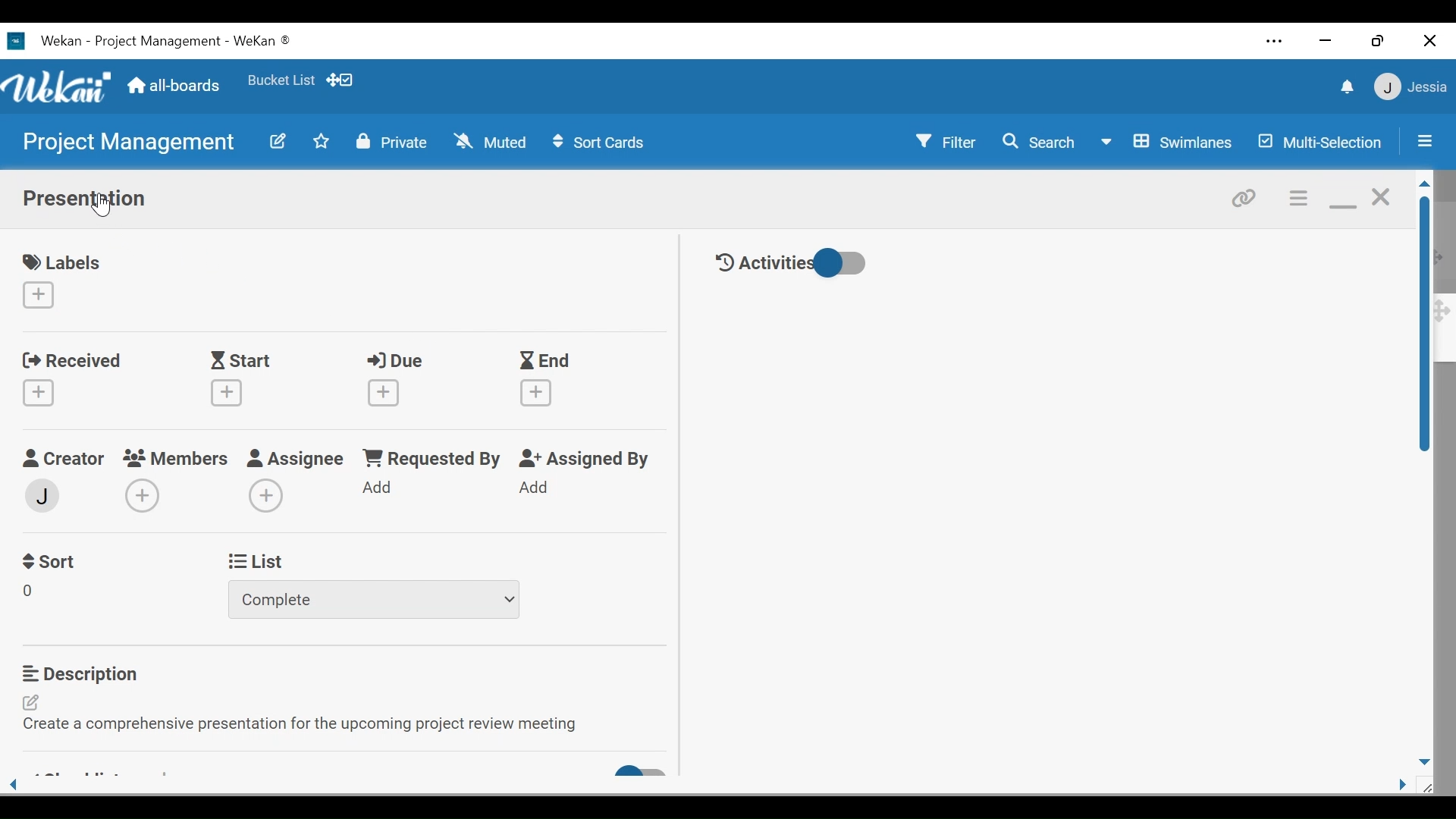 This screenshot has width=1456, height=819. What do you see at coordinates (177, 457) in the screenshot?
I see `Members` at bounding box center [177, 457].